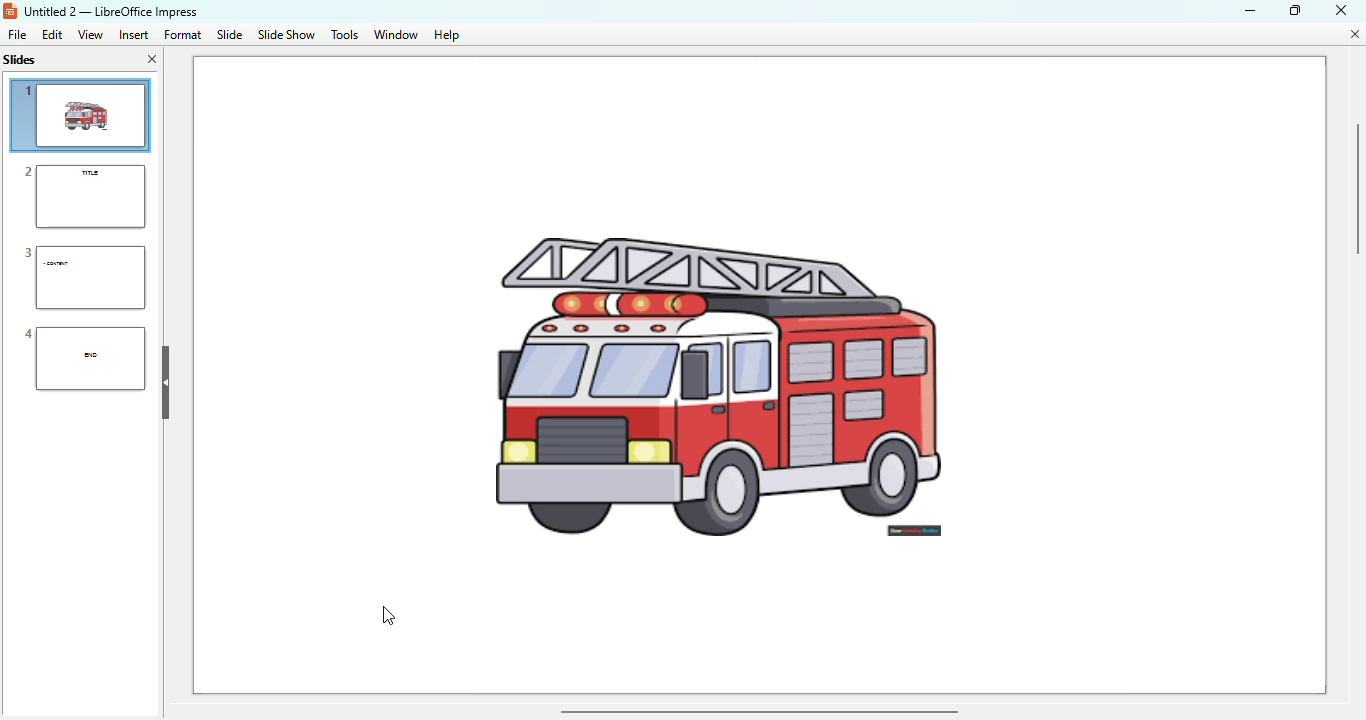 The image size is (1366, 720). Describe the element at coordinates (22, 59) in the screenshot. I see `slides` at that location.